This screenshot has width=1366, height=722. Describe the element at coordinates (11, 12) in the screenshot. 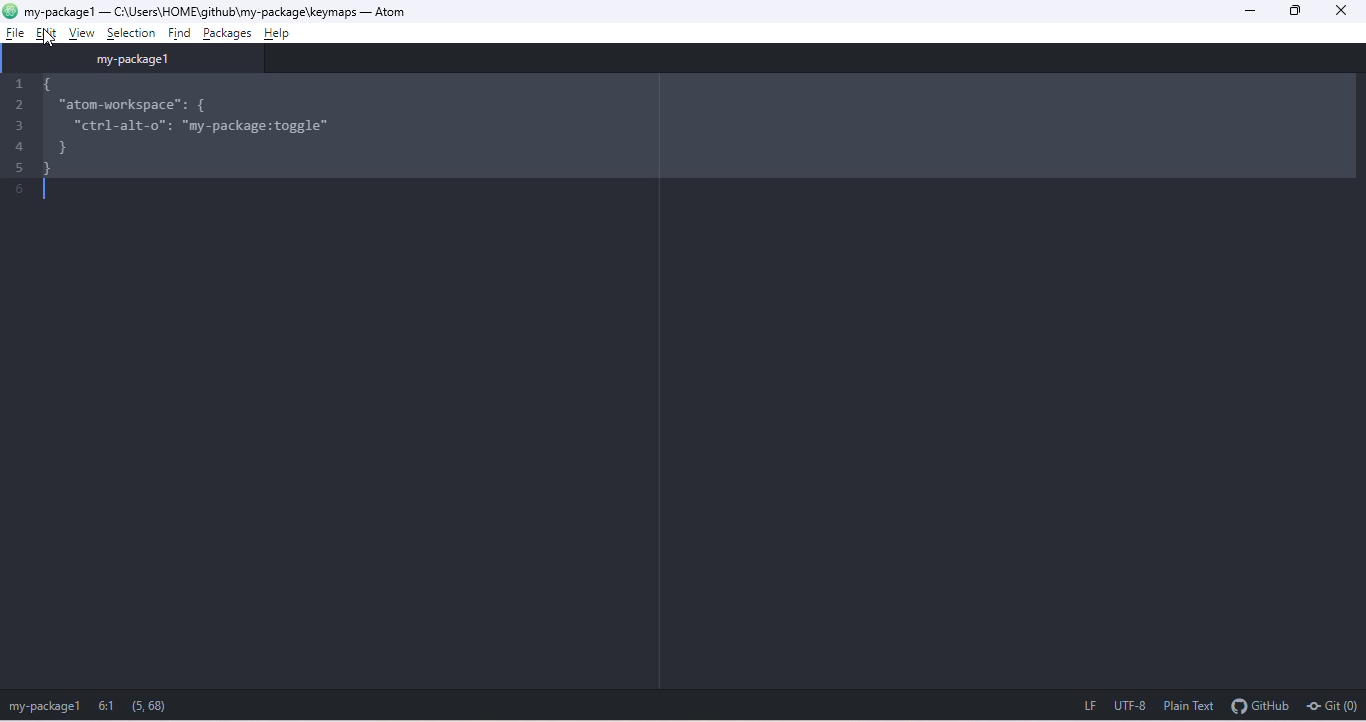

I see `atom logo` at that location.